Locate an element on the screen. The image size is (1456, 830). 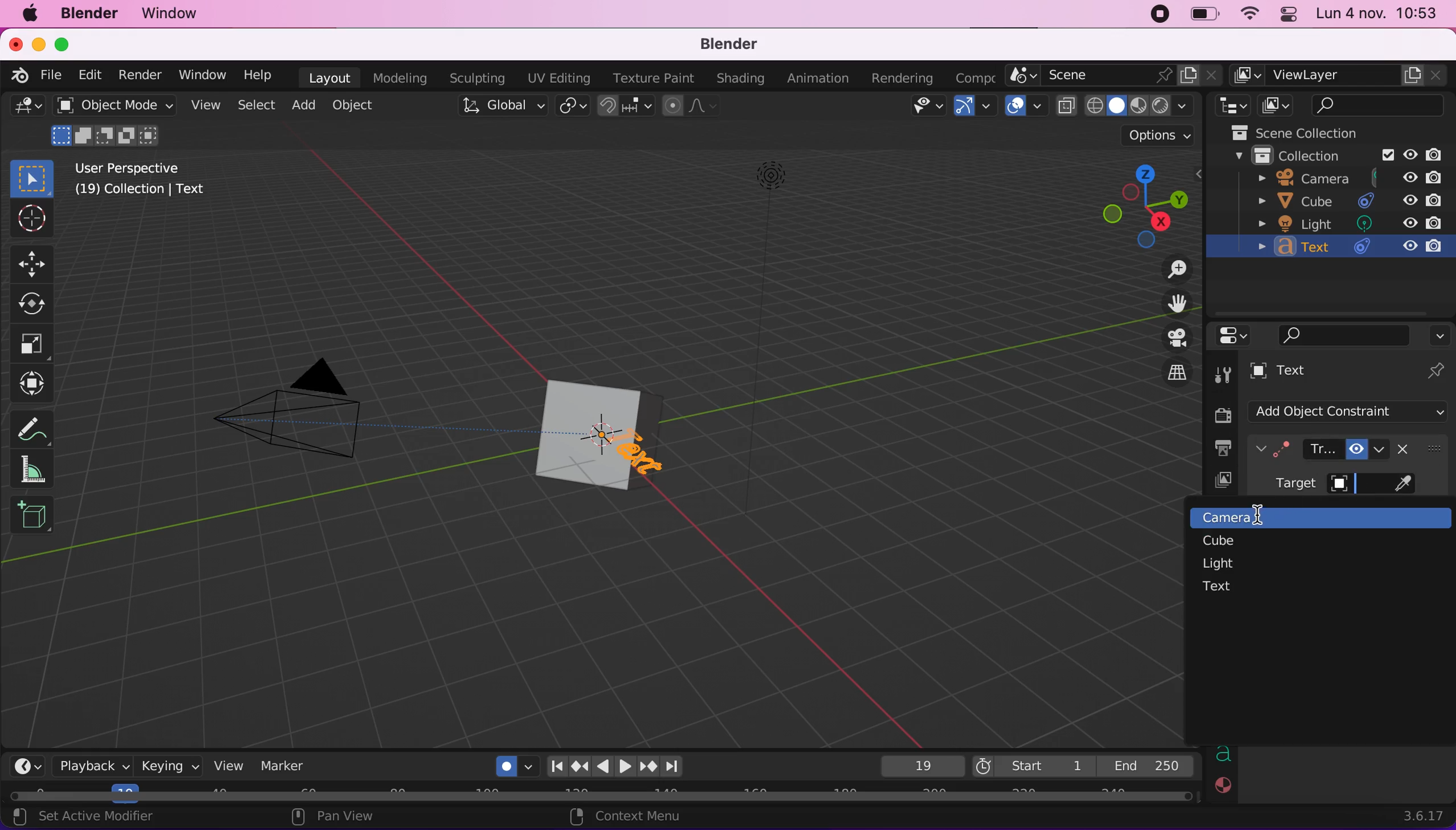
pan view is located at coordinates (378, 819).